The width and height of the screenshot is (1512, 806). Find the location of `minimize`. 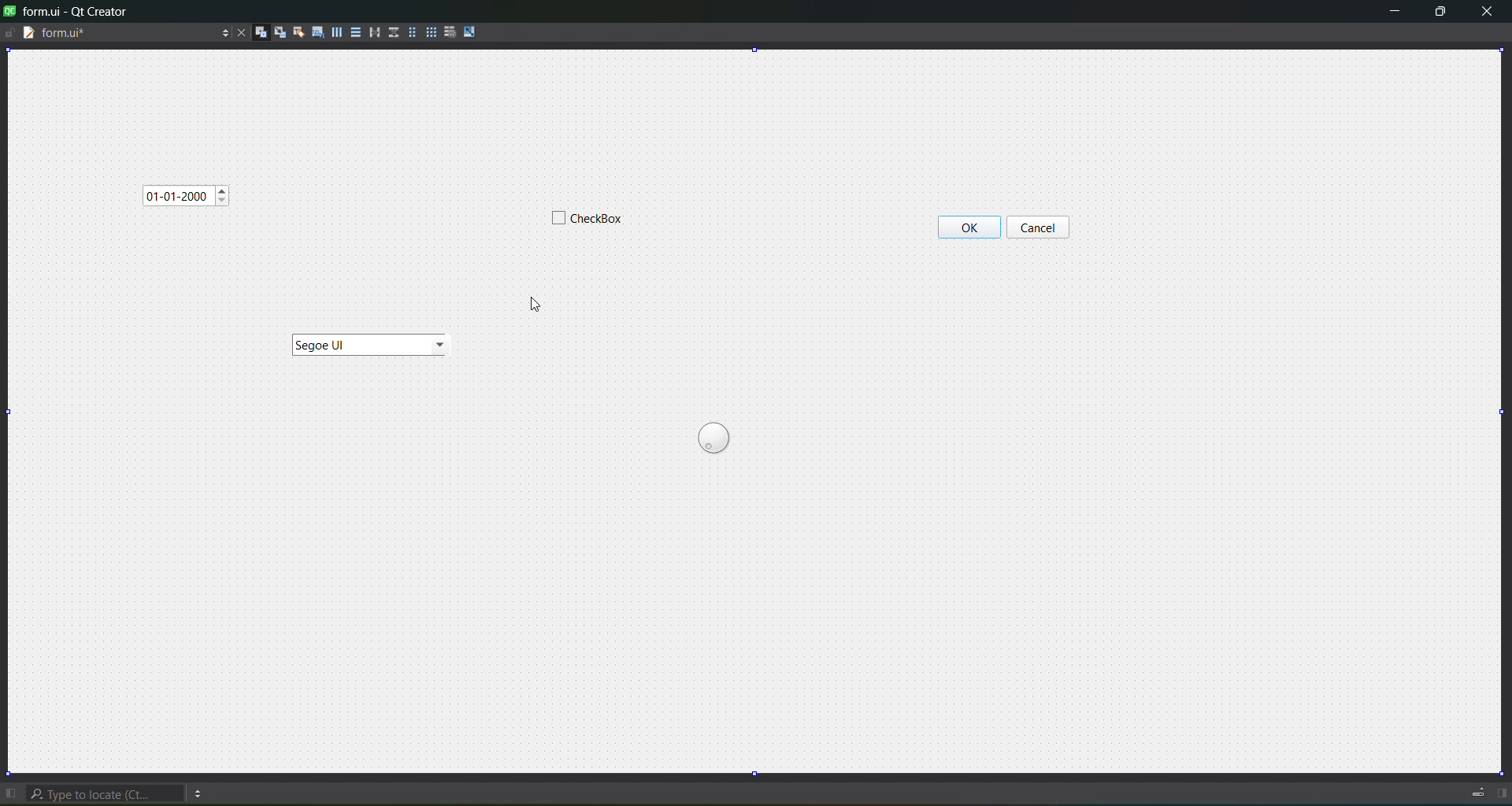

minimize is located at coordinates (1395, 11).